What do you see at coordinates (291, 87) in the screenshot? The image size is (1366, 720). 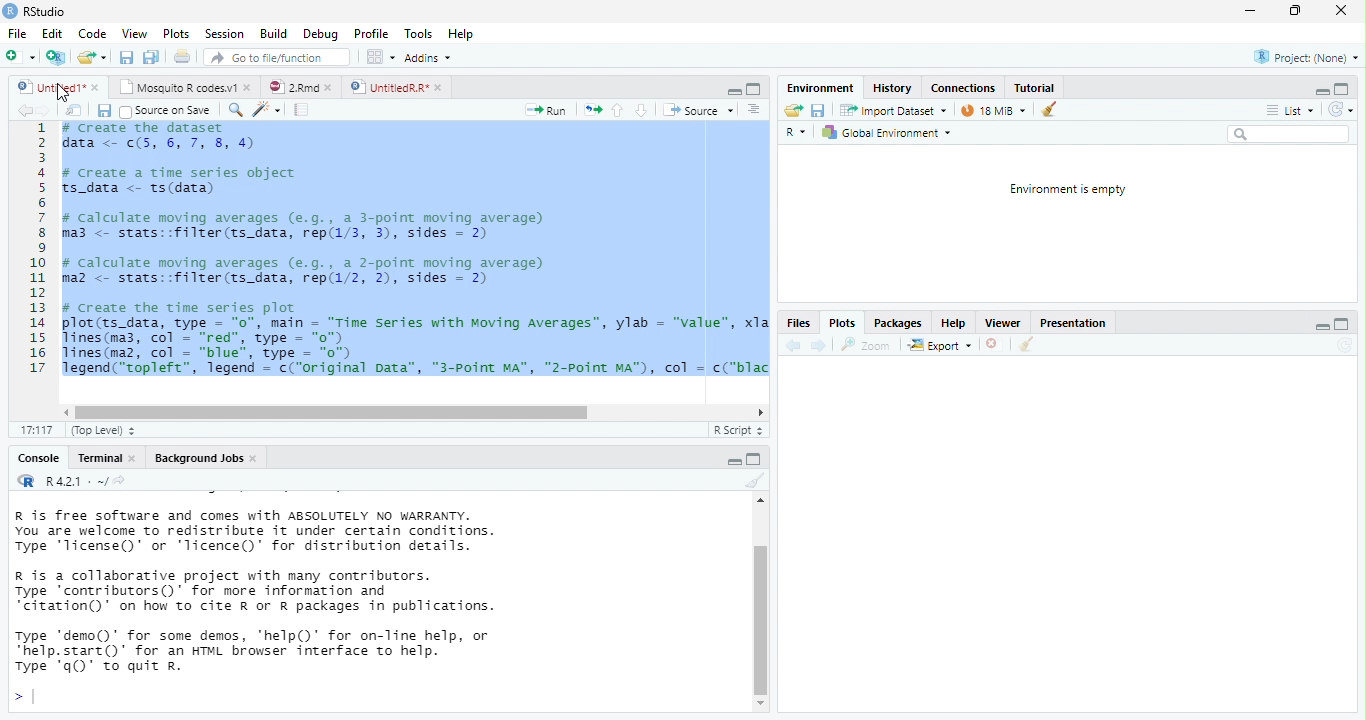 I see `2Rmd` at bounding box center [291, 87].